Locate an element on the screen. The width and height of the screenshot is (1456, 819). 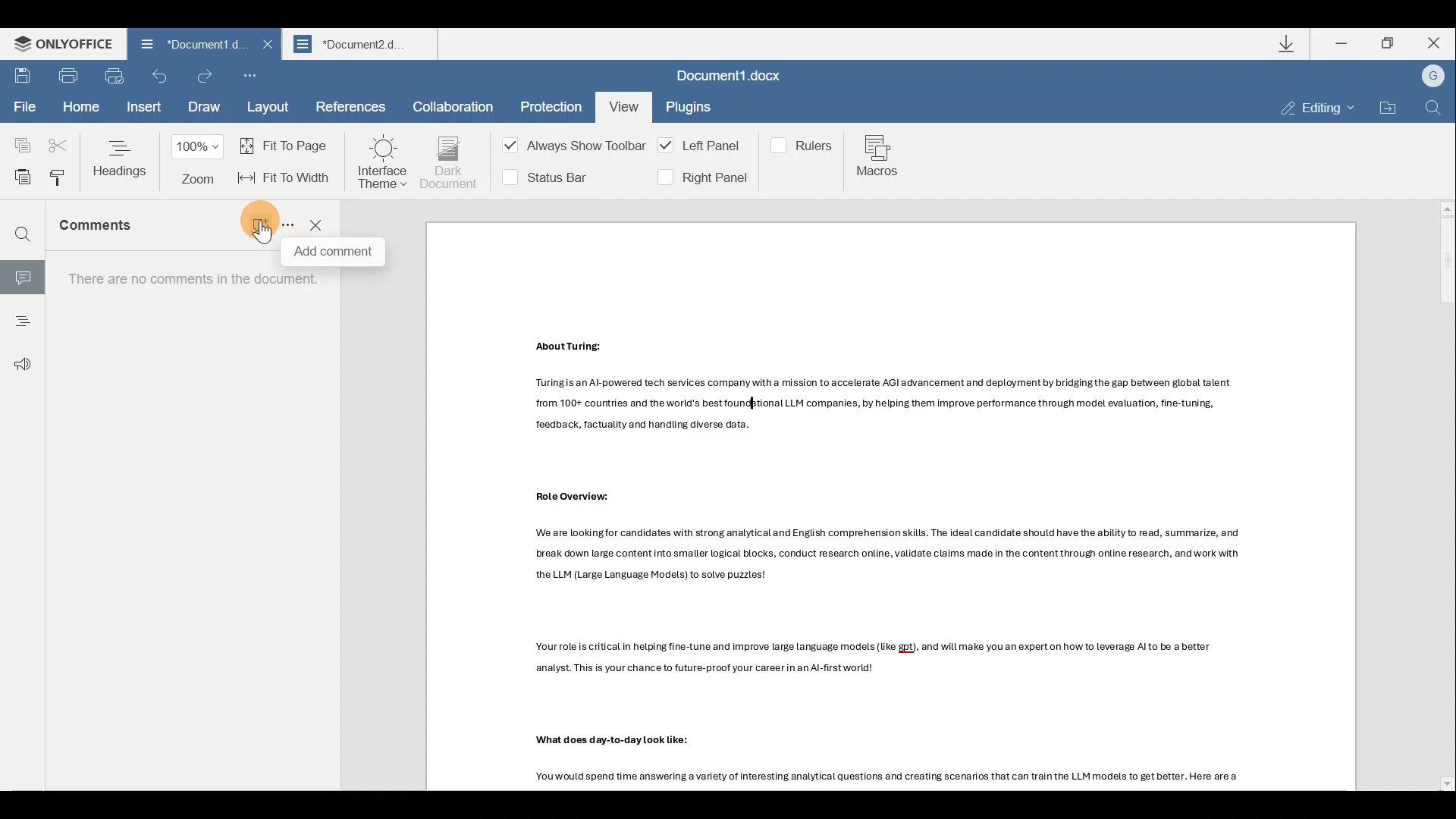
Fit to page is located at coordinates (287, 145).